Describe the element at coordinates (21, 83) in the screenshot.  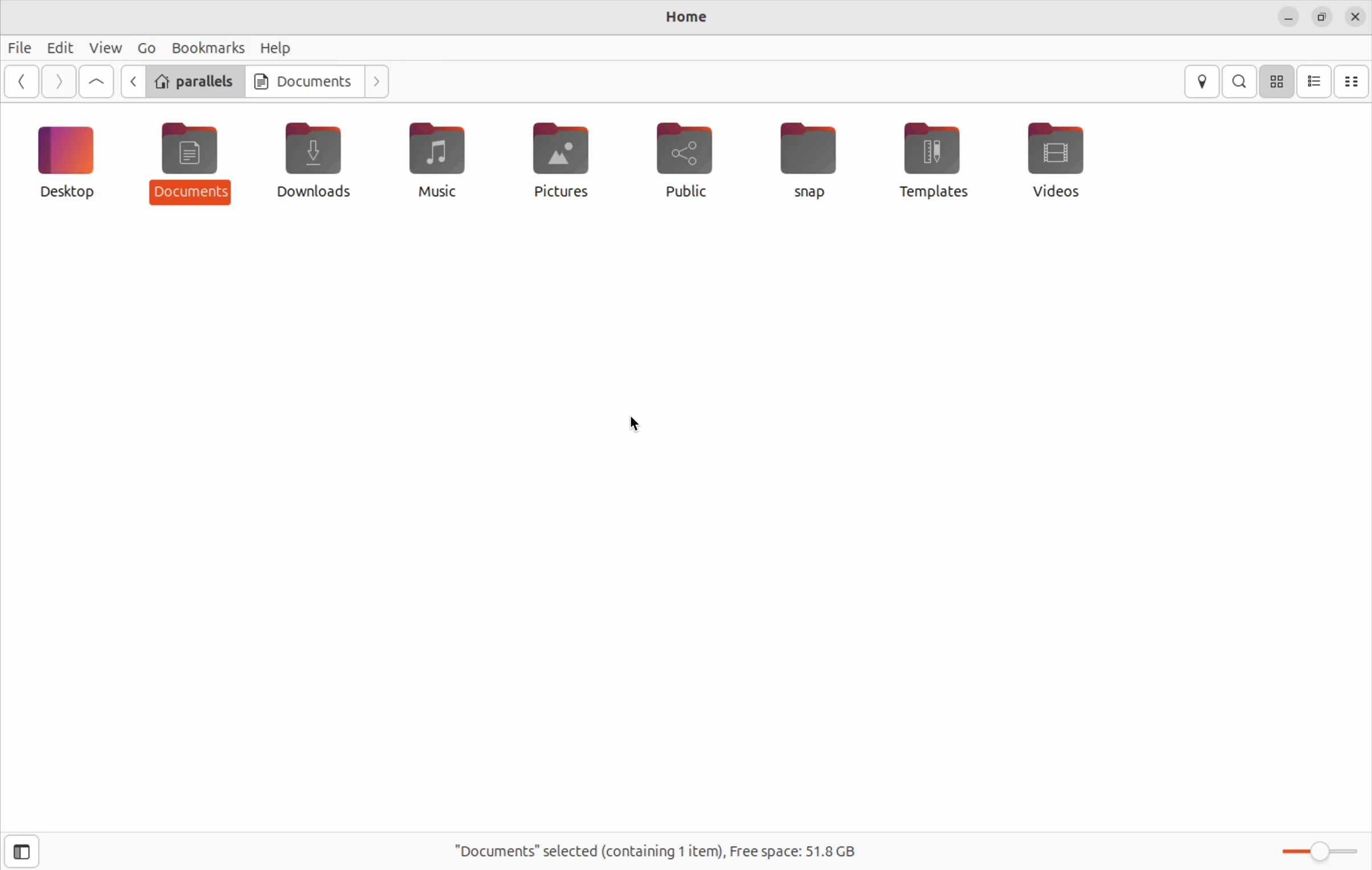
I see `Go back` at that location.